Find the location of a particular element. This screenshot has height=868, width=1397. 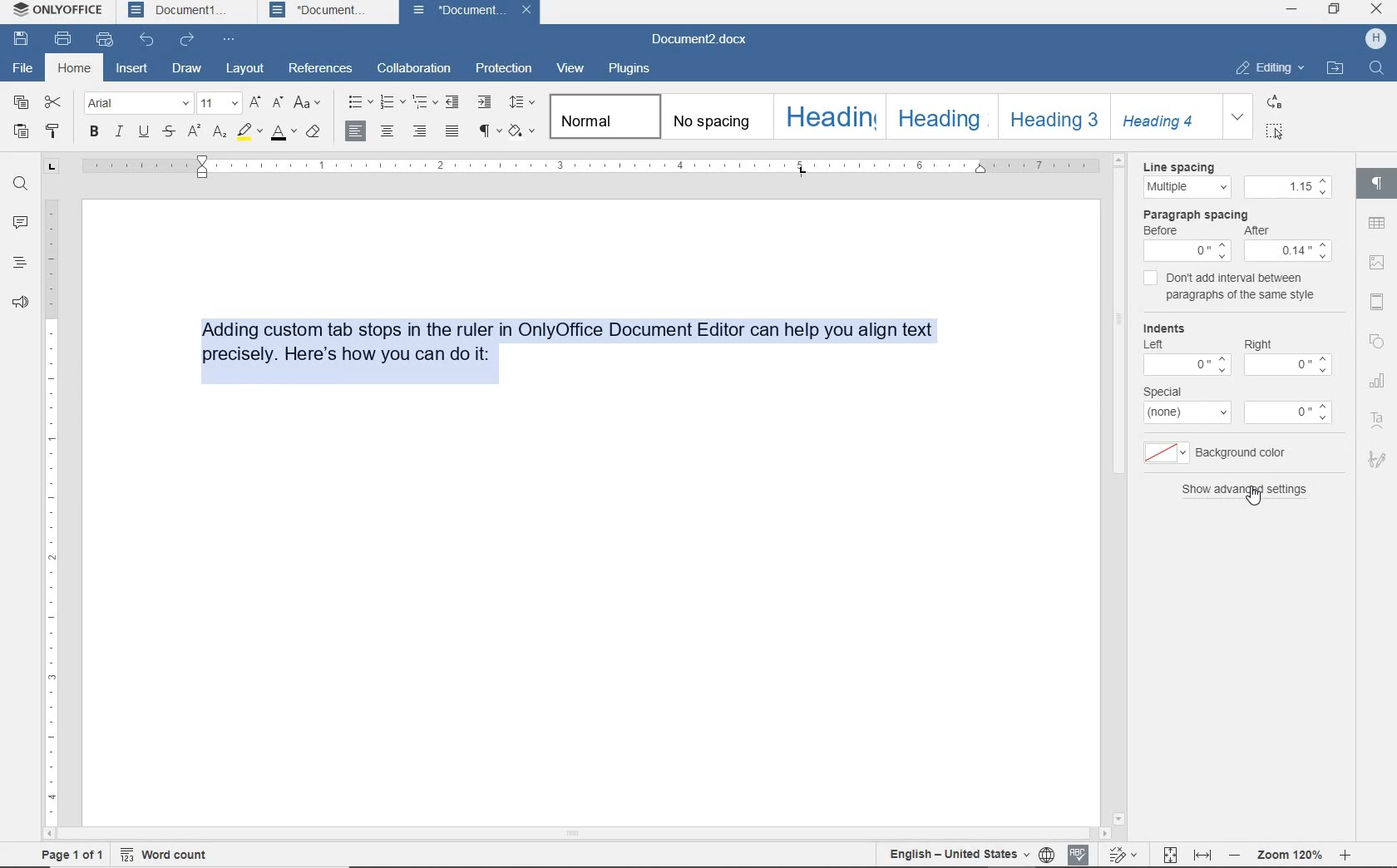

zoom in is located at coordinates (1348, 856).